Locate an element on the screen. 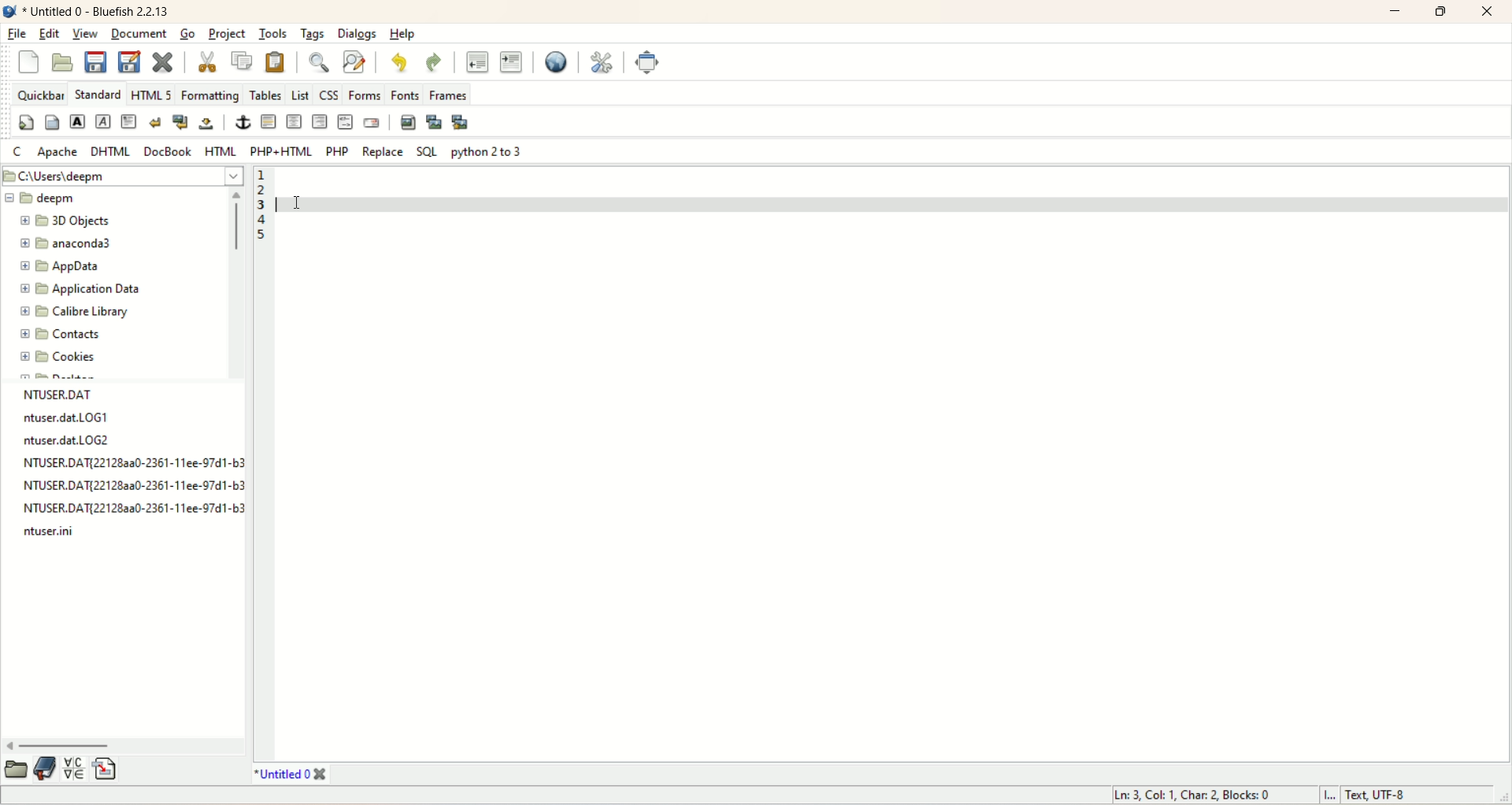  I is located at coordinates (1325, 795).